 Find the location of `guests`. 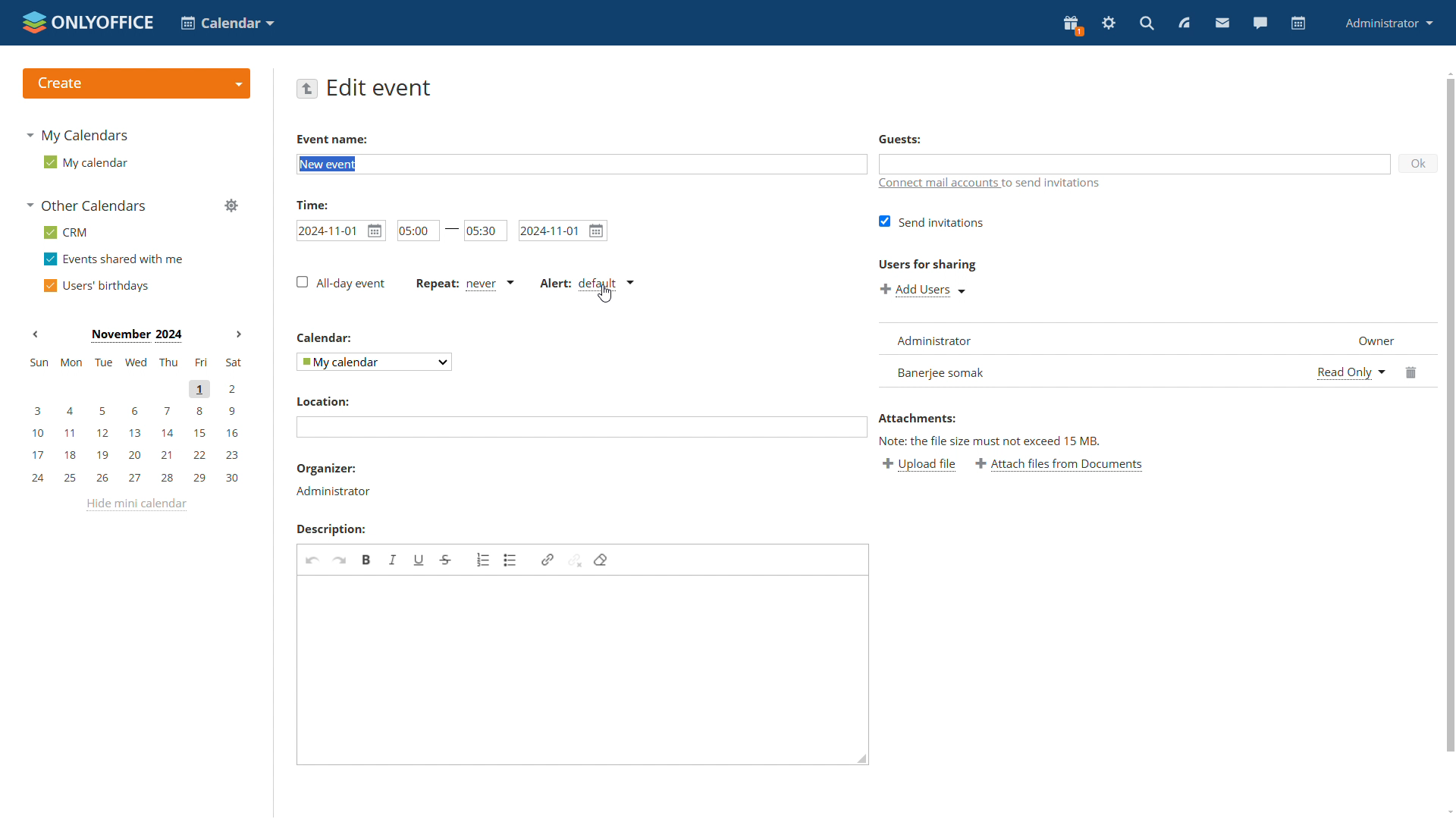

guests is located at coordinates (901, 140).